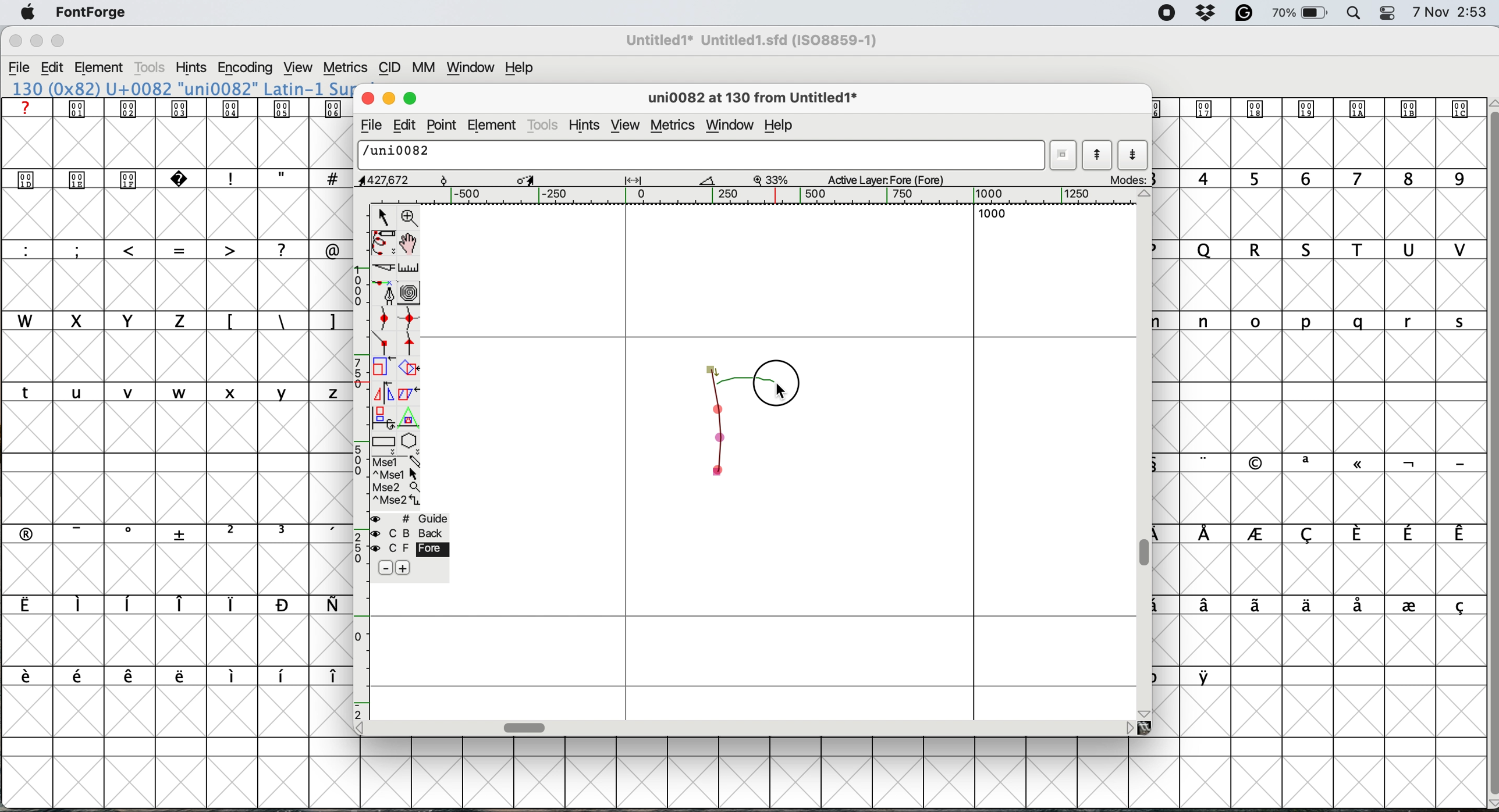 The image size is (1499, 812). Describe the element at coordinates (755, 40) in the screenshot. I see `Untitled1 Untitled1.sfd (ISO8859-1)` at that location.